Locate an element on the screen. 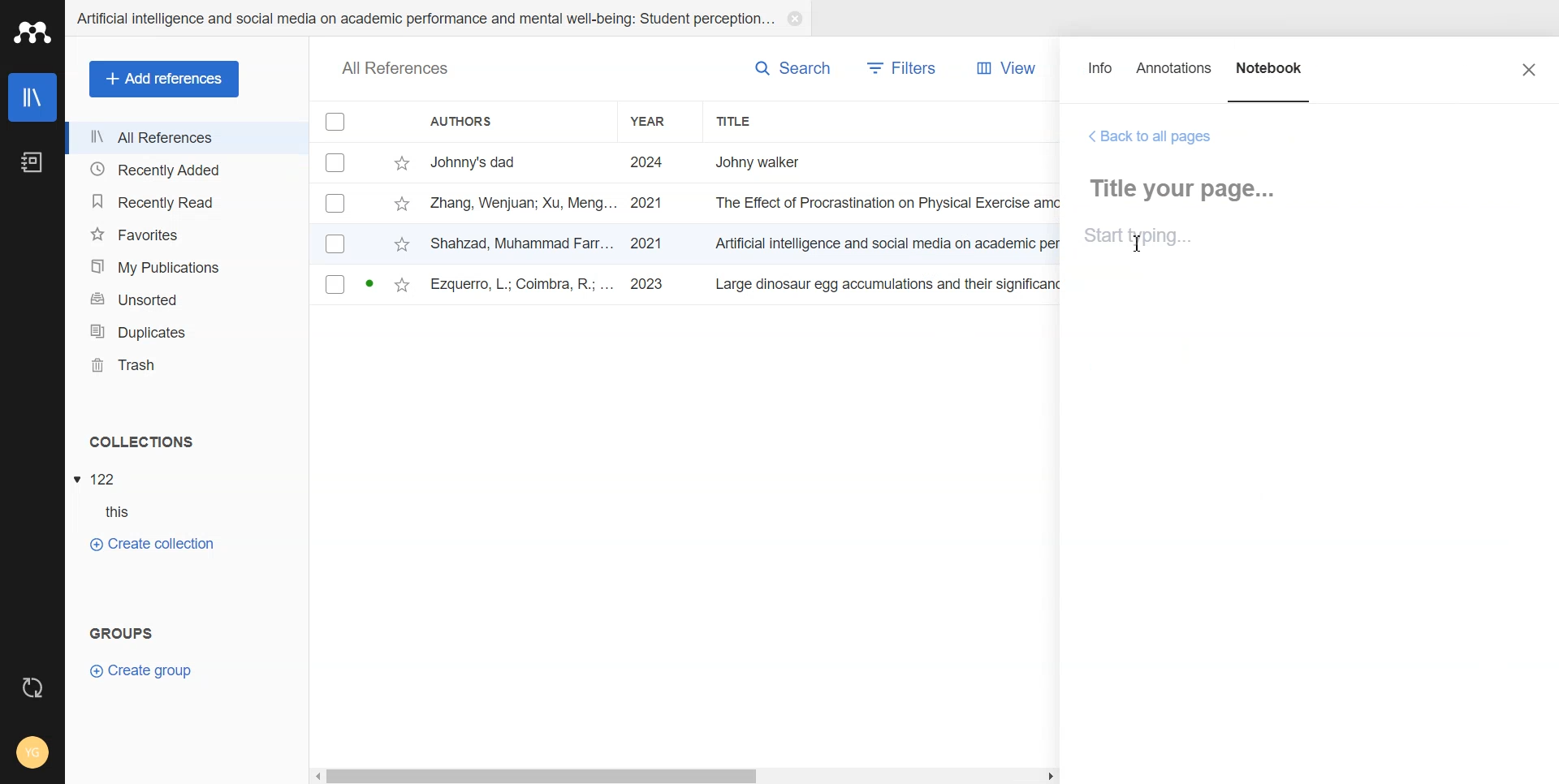  star is located at coordinates (402, 164).